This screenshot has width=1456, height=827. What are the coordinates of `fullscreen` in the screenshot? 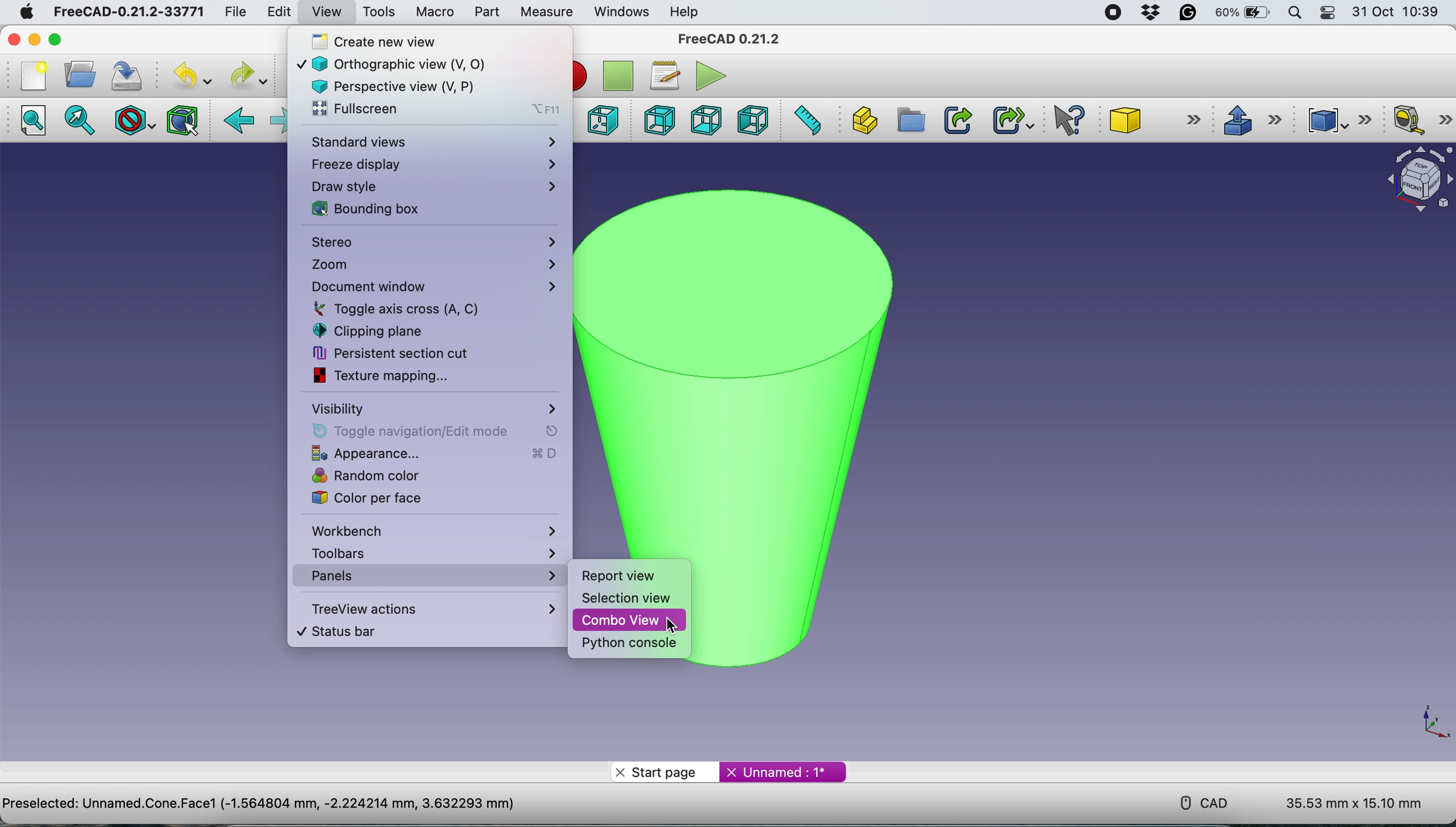 It's located at (433, 110).